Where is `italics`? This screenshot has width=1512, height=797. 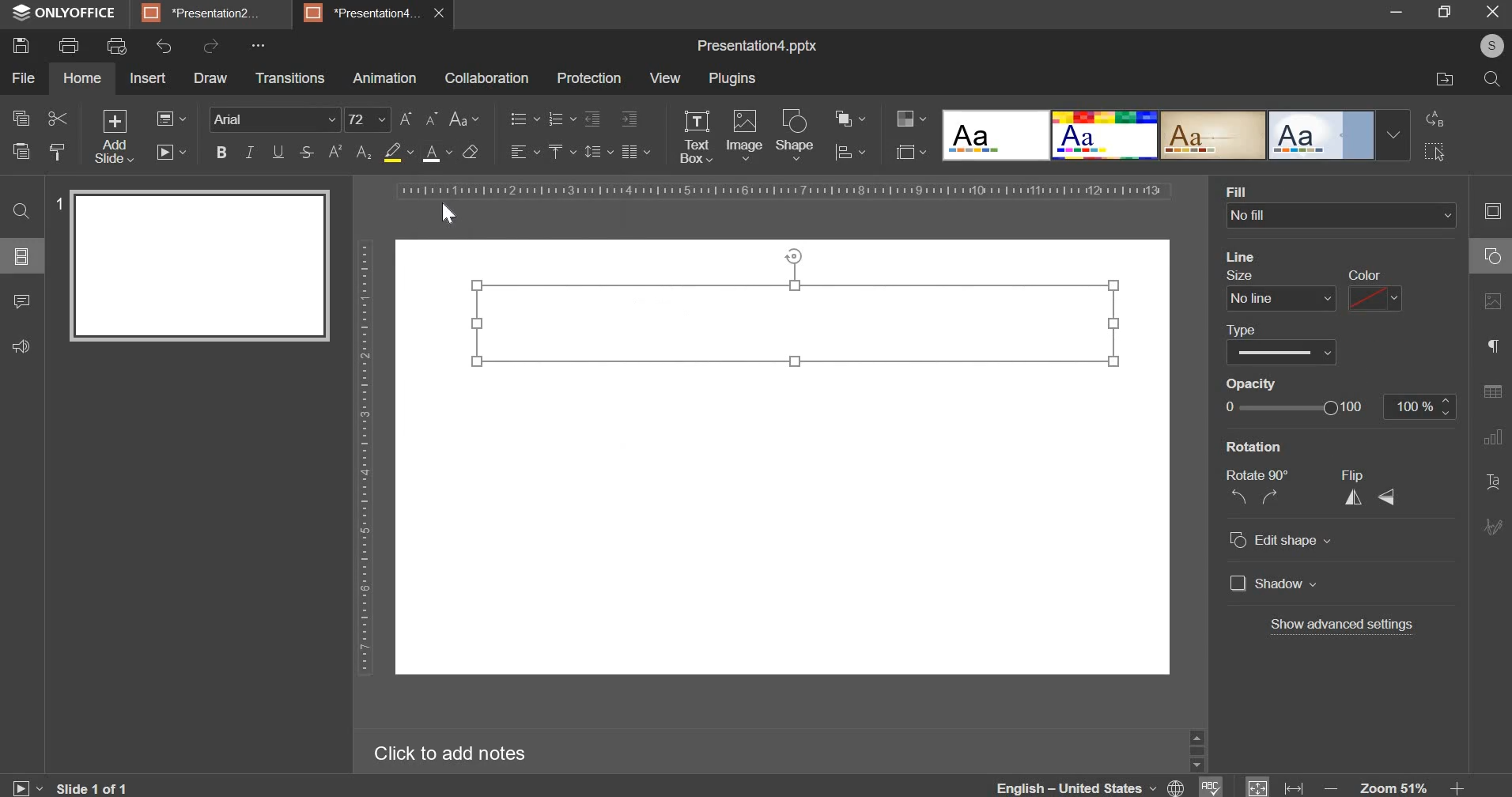
italics is located at coordinates (250, 152).